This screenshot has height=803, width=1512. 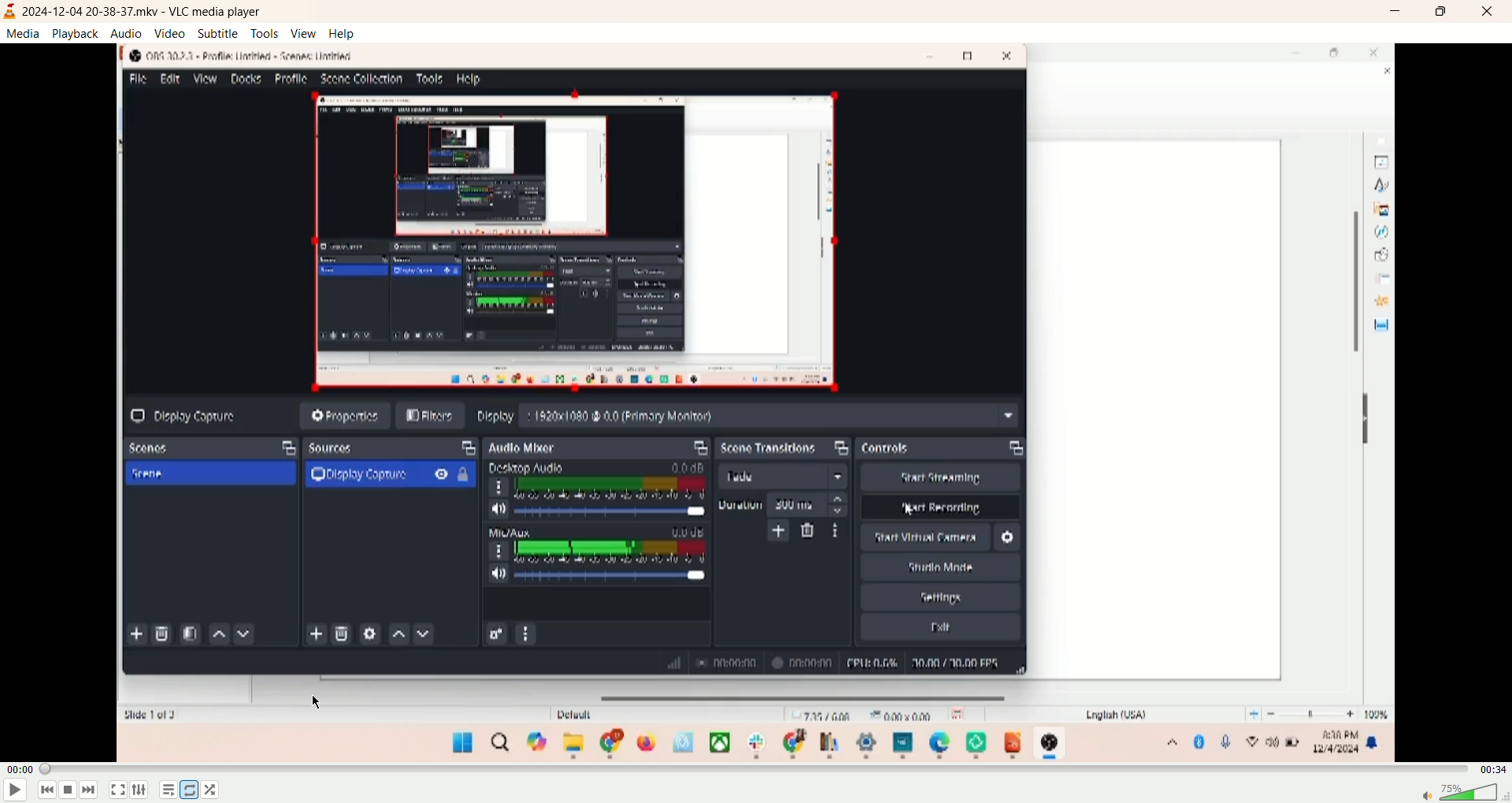 What do you see at coordinates (170, 32) in the screenshot?
I see `video` at bounding box center [170, 32].